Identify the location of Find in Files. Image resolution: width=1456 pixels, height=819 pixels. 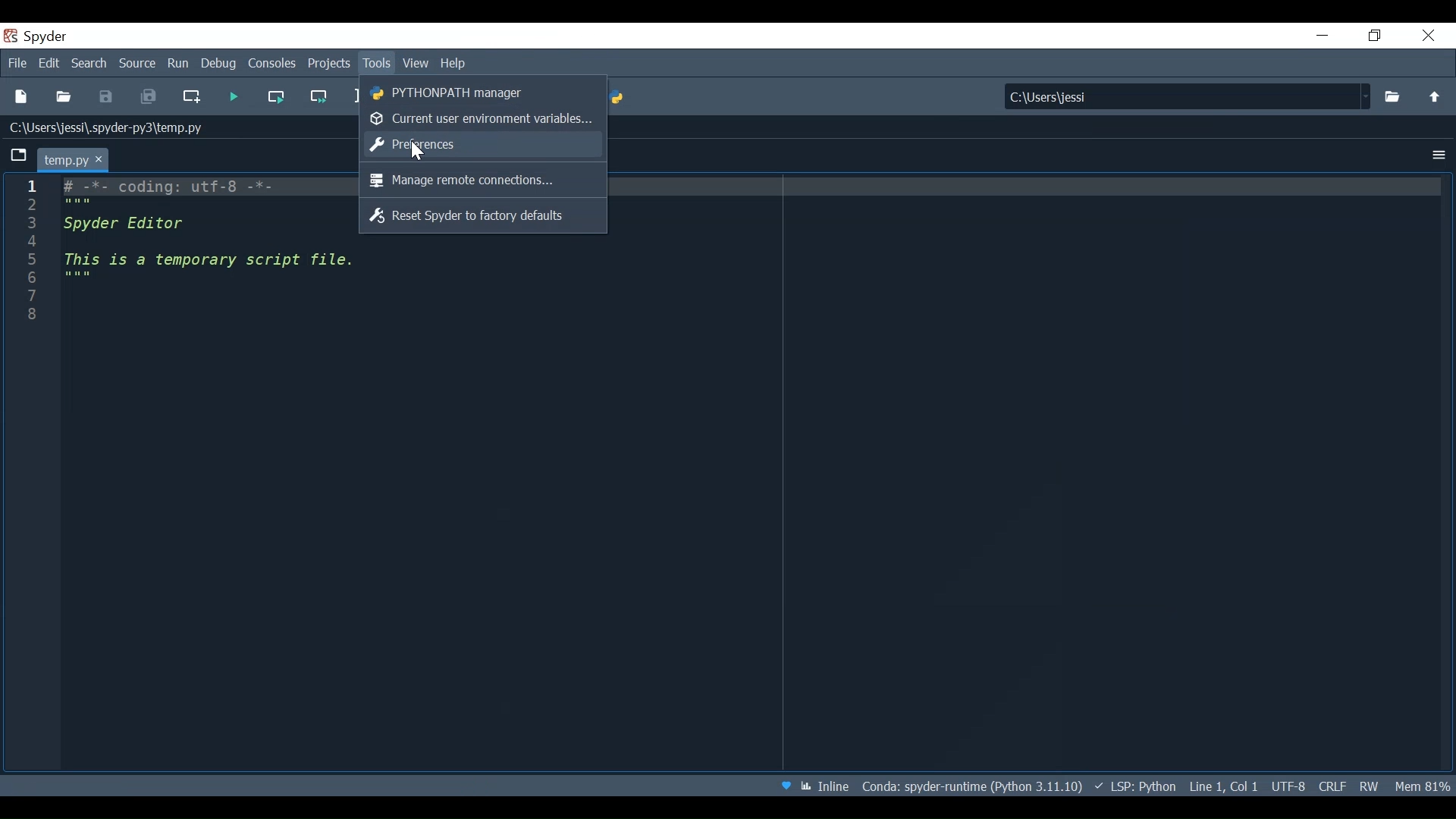
(1185, 96).